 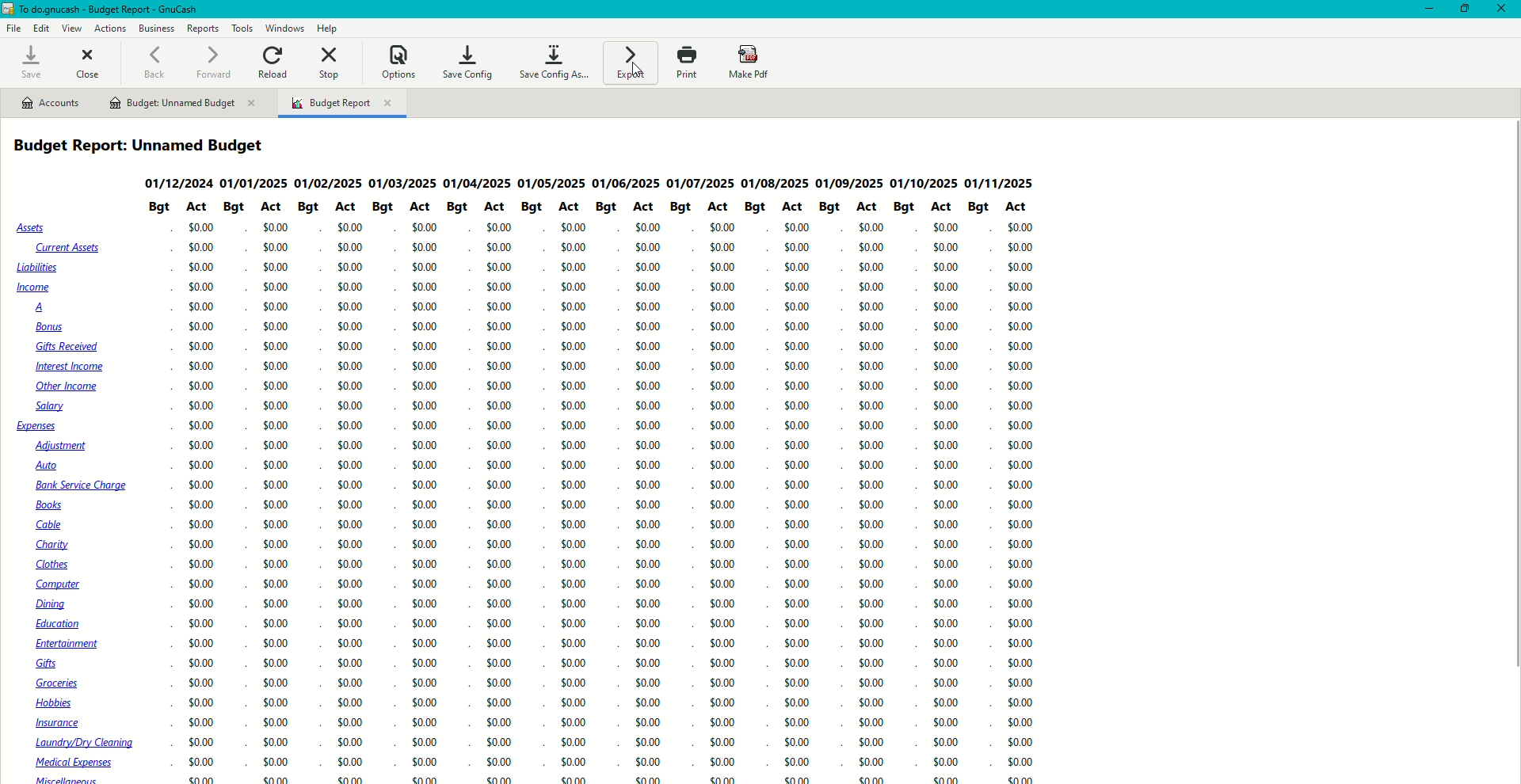 What do you see at coordinates (650, 502) in the screenshot?
I see `$0.00` at bounding box center [650, 502].